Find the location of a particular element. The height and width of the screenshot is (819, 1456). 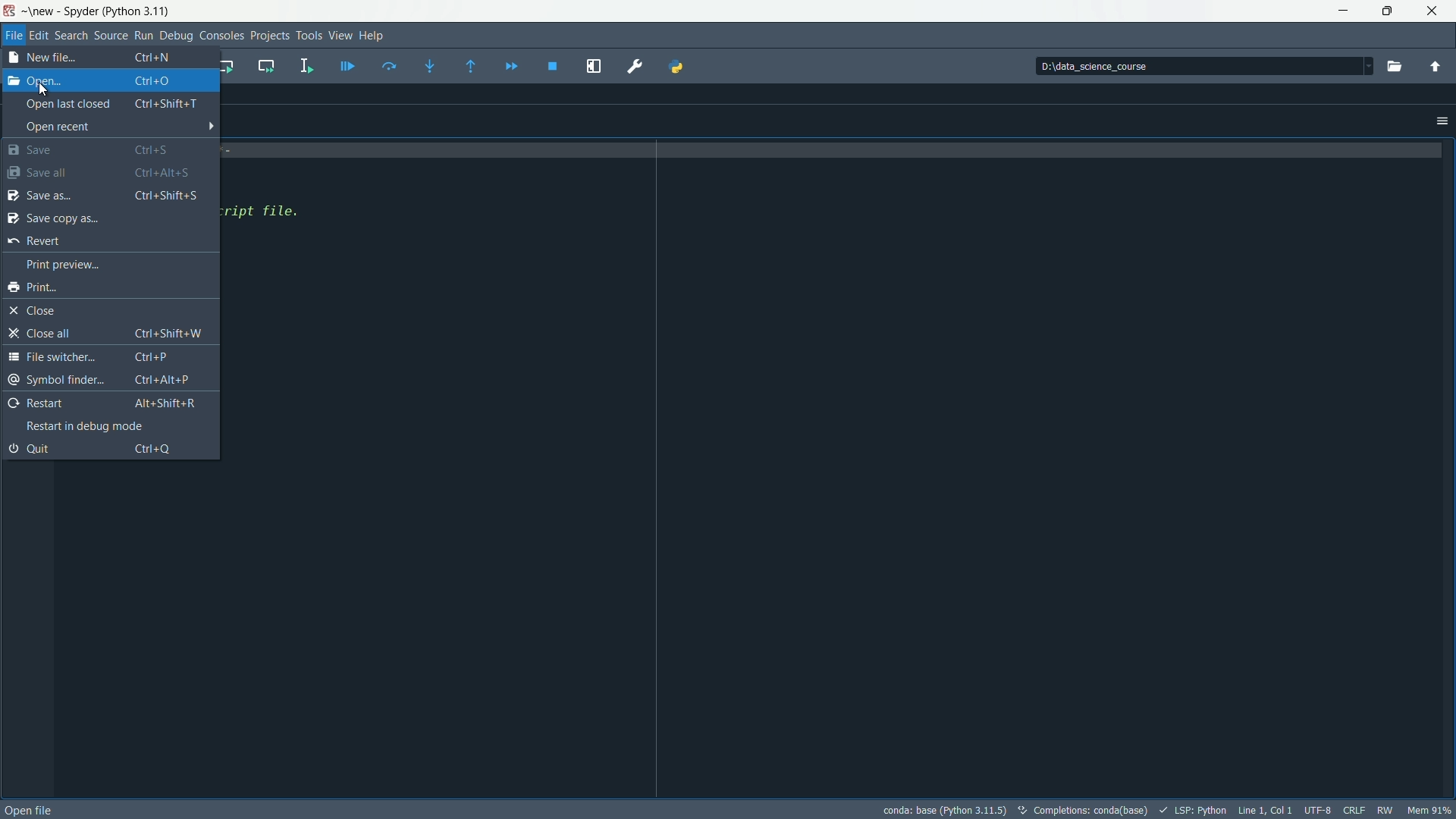

completion conda is located at coordinates (1086, 808).